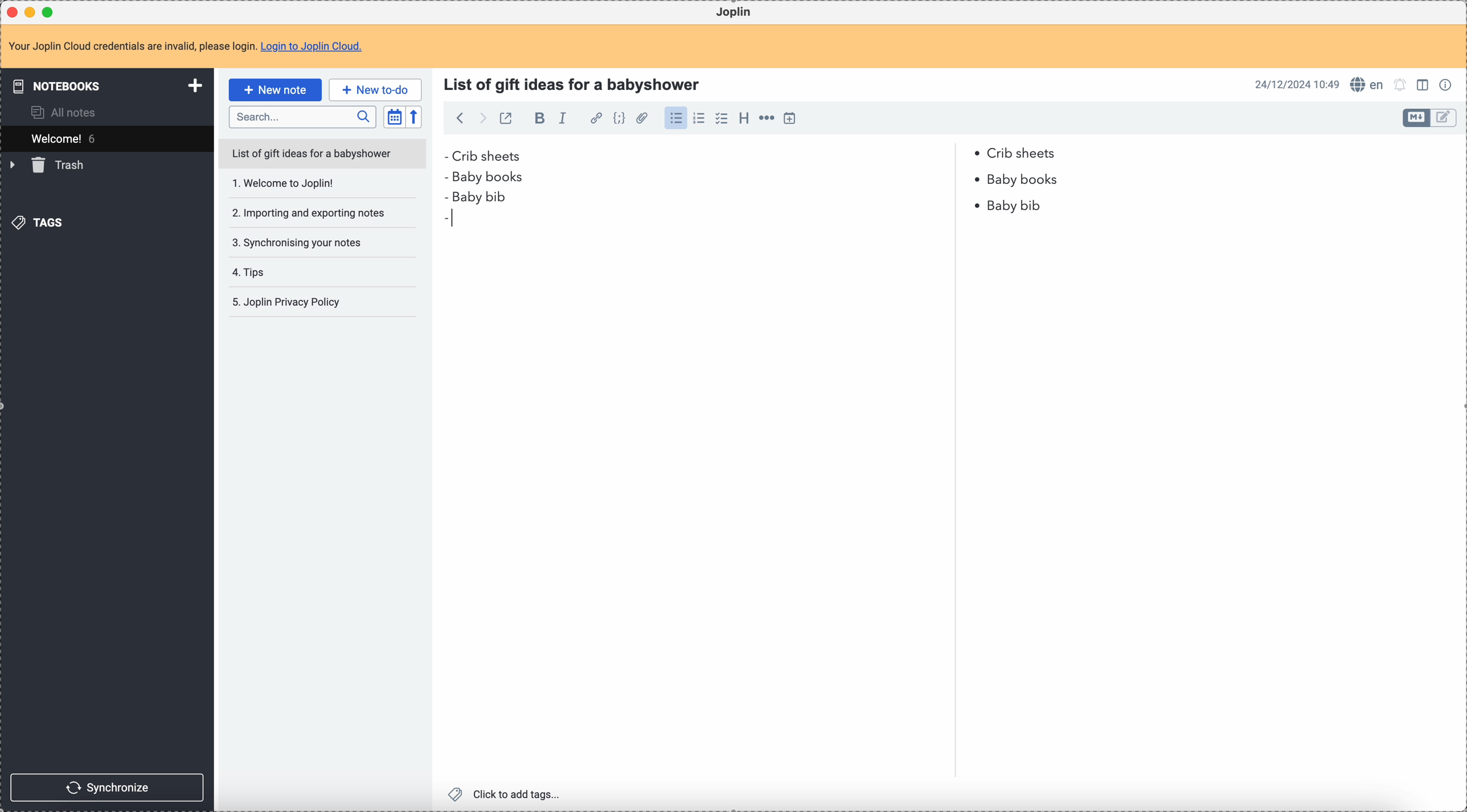  I want to click on toggle edit layout, so click(1416, 118).